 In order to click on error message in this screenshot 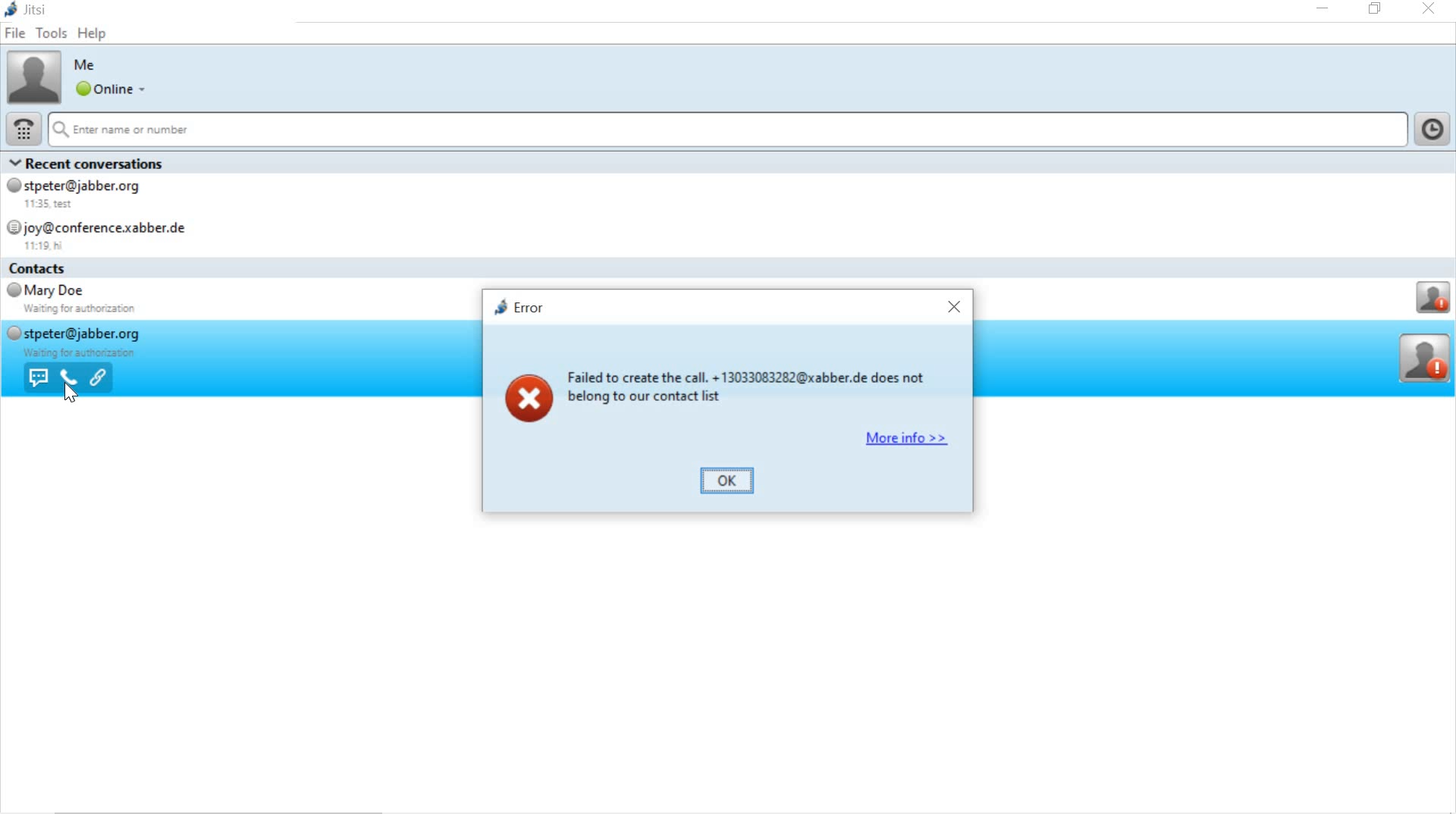, I will do `click(725, 388)`.